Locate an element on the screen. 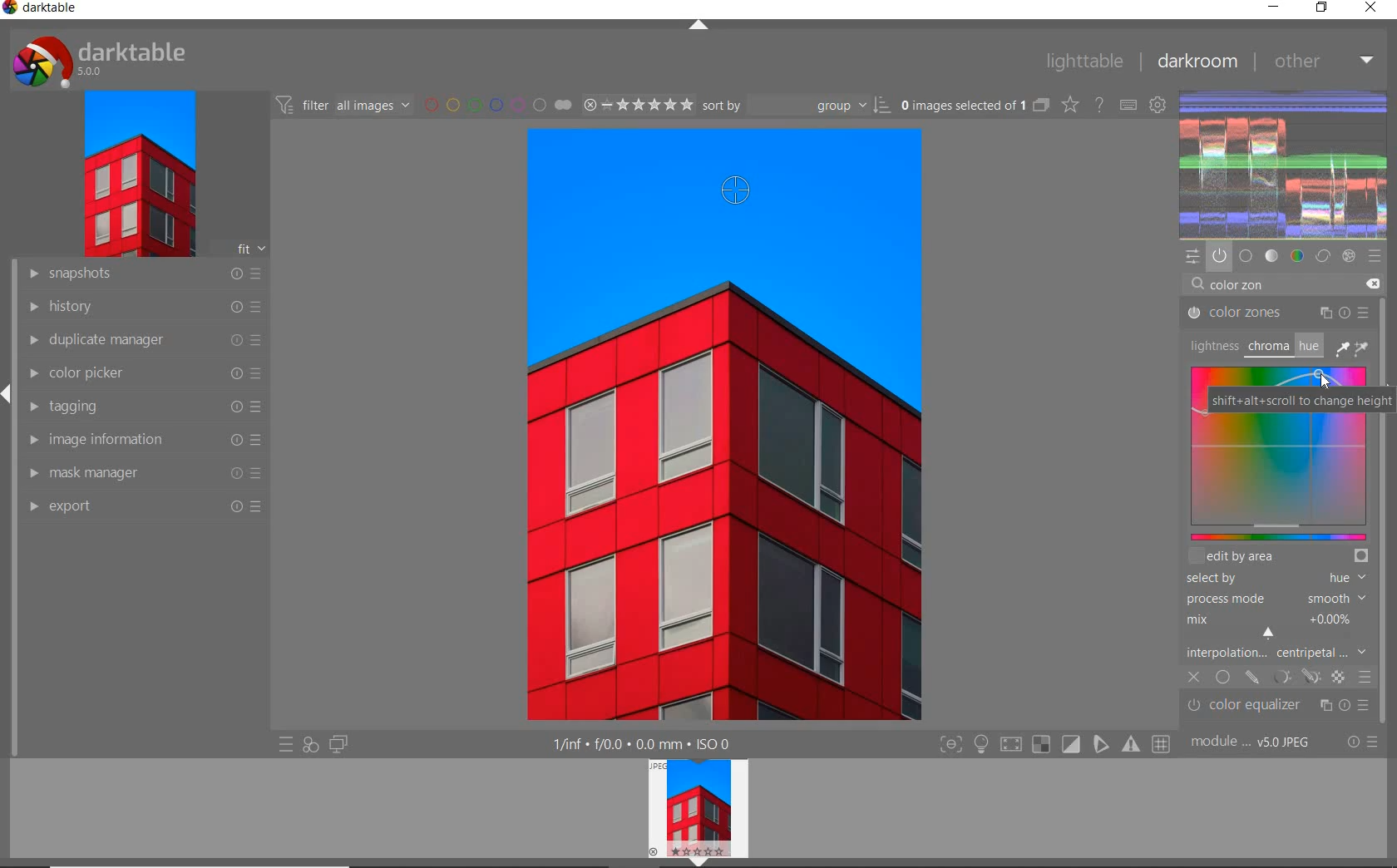  soft proofing is located at coordinates (1072, 744).